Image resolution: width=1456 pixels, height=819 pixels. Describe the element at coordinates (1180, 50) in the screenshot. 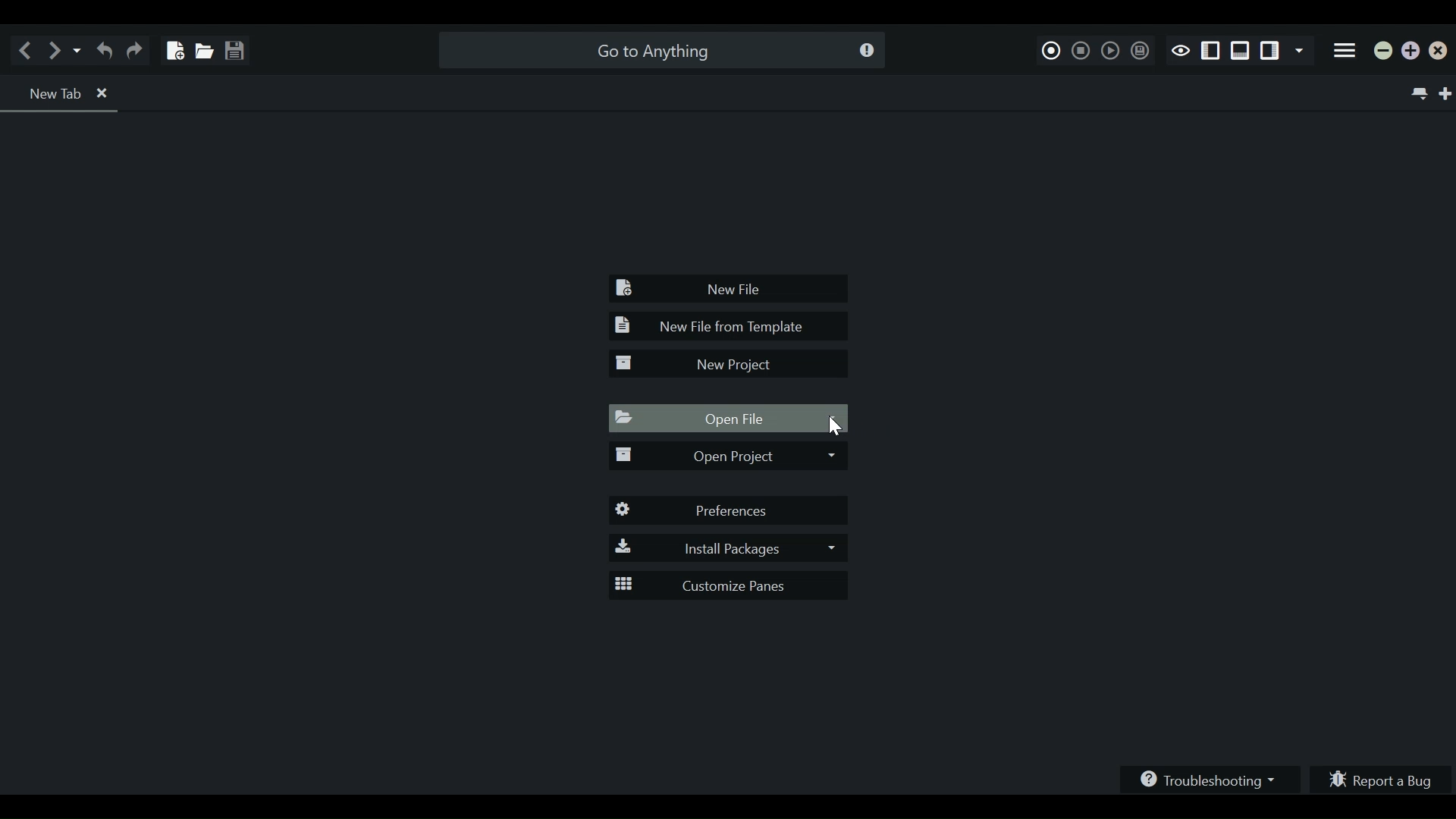

I see `Toggle Focus mode` at that location.